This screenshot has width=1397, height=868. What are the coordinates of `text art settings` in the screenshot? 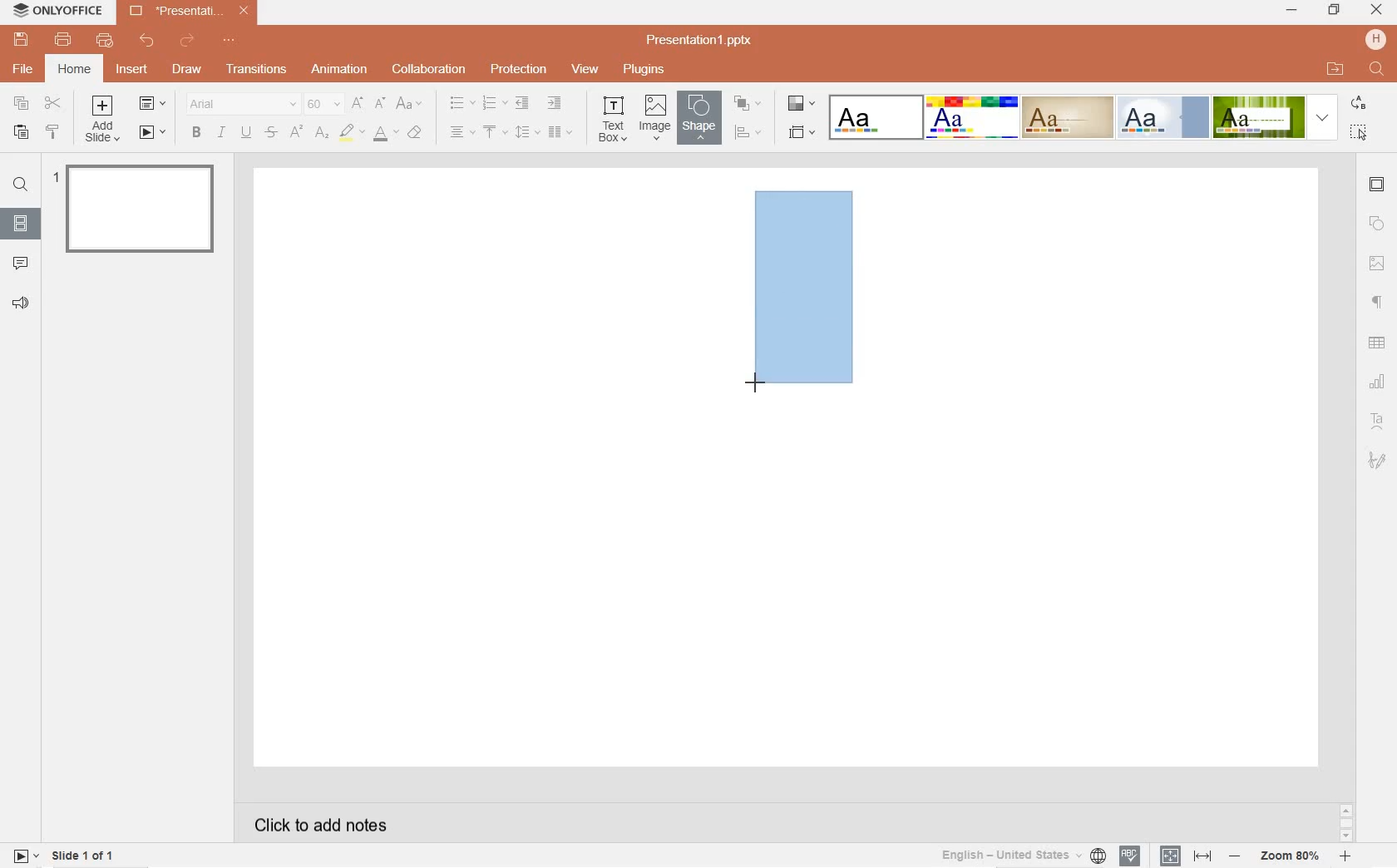 It's located at (1375, 419).